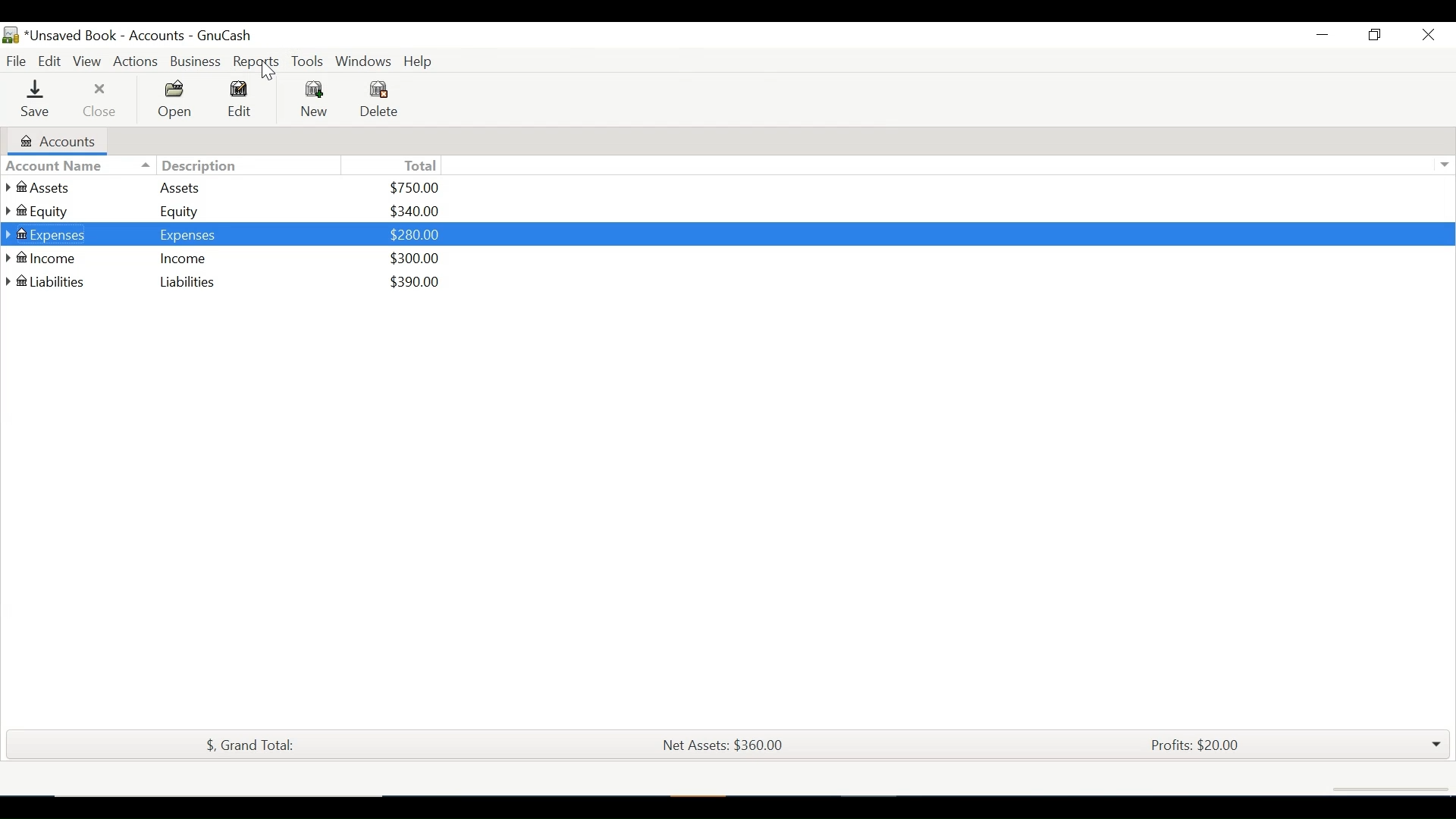 This screenshot has width=1456, height=819. Describe the element at coordinates (88, 58) in the screenshot. I see `View` at that location.